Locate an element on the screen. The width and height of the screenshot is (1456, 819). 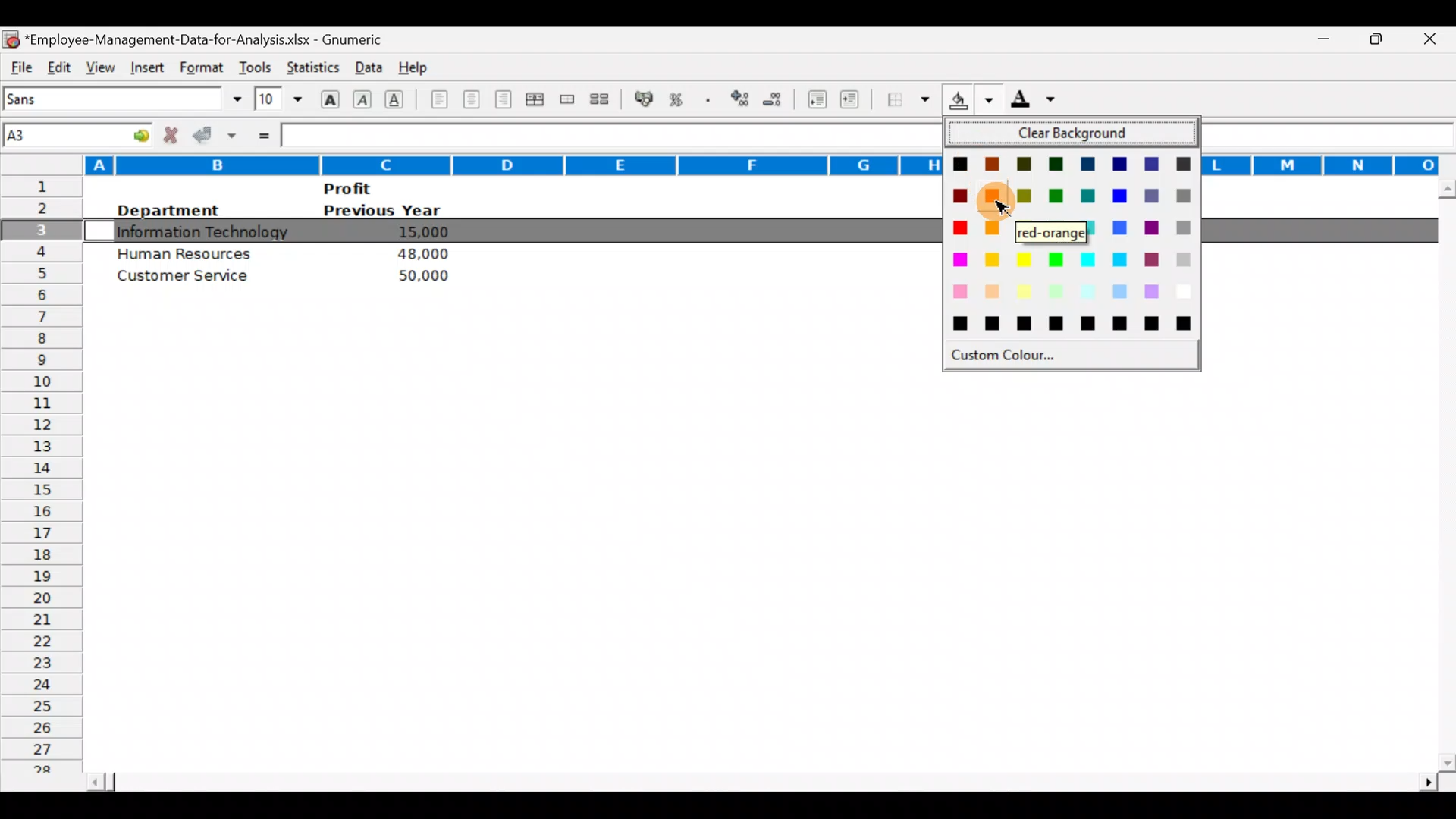
File is located at coordinates (20, 65).